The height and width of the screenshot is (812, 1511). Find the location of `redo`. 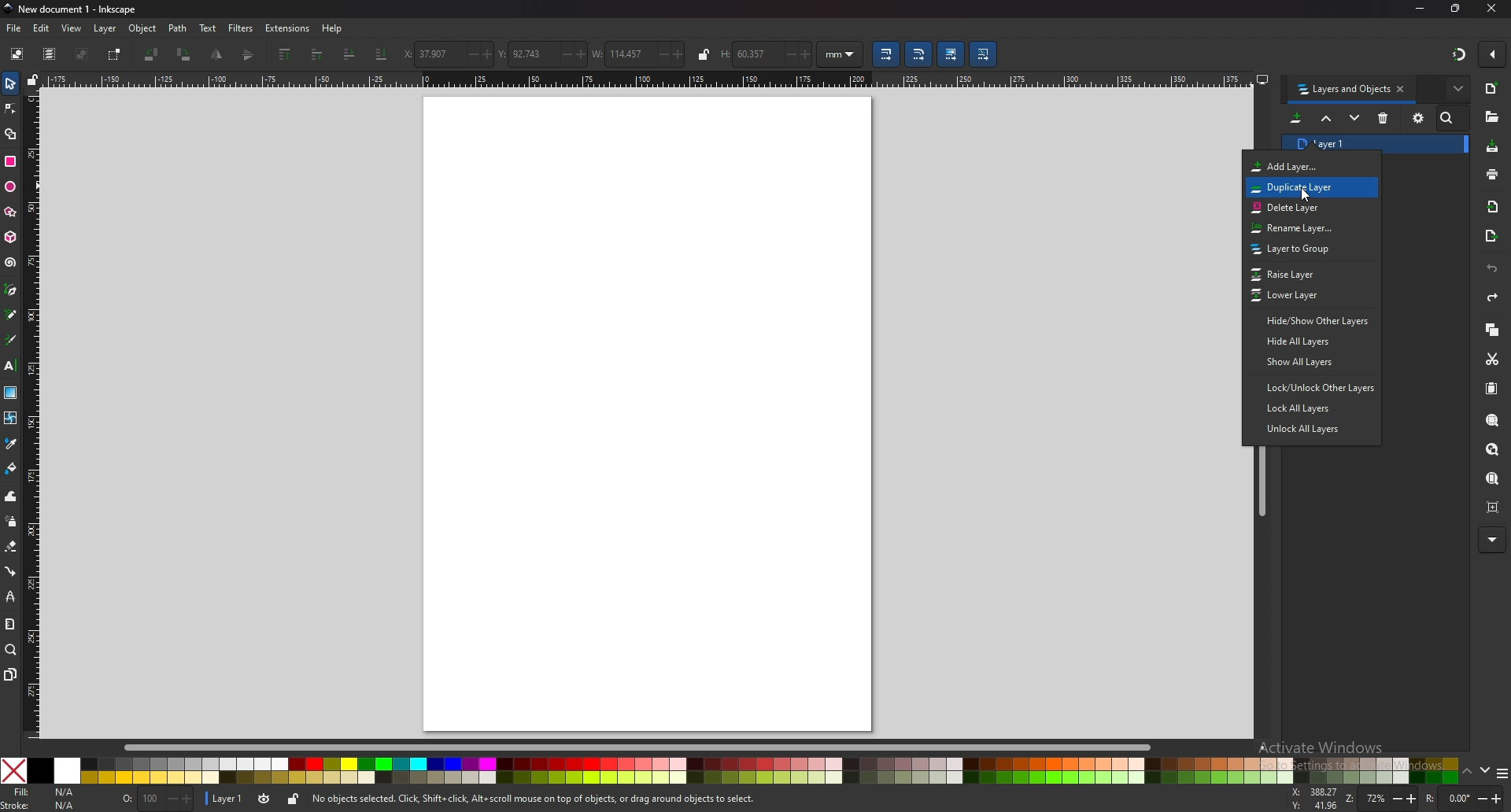

redo is located at coordinates (1493, 297).